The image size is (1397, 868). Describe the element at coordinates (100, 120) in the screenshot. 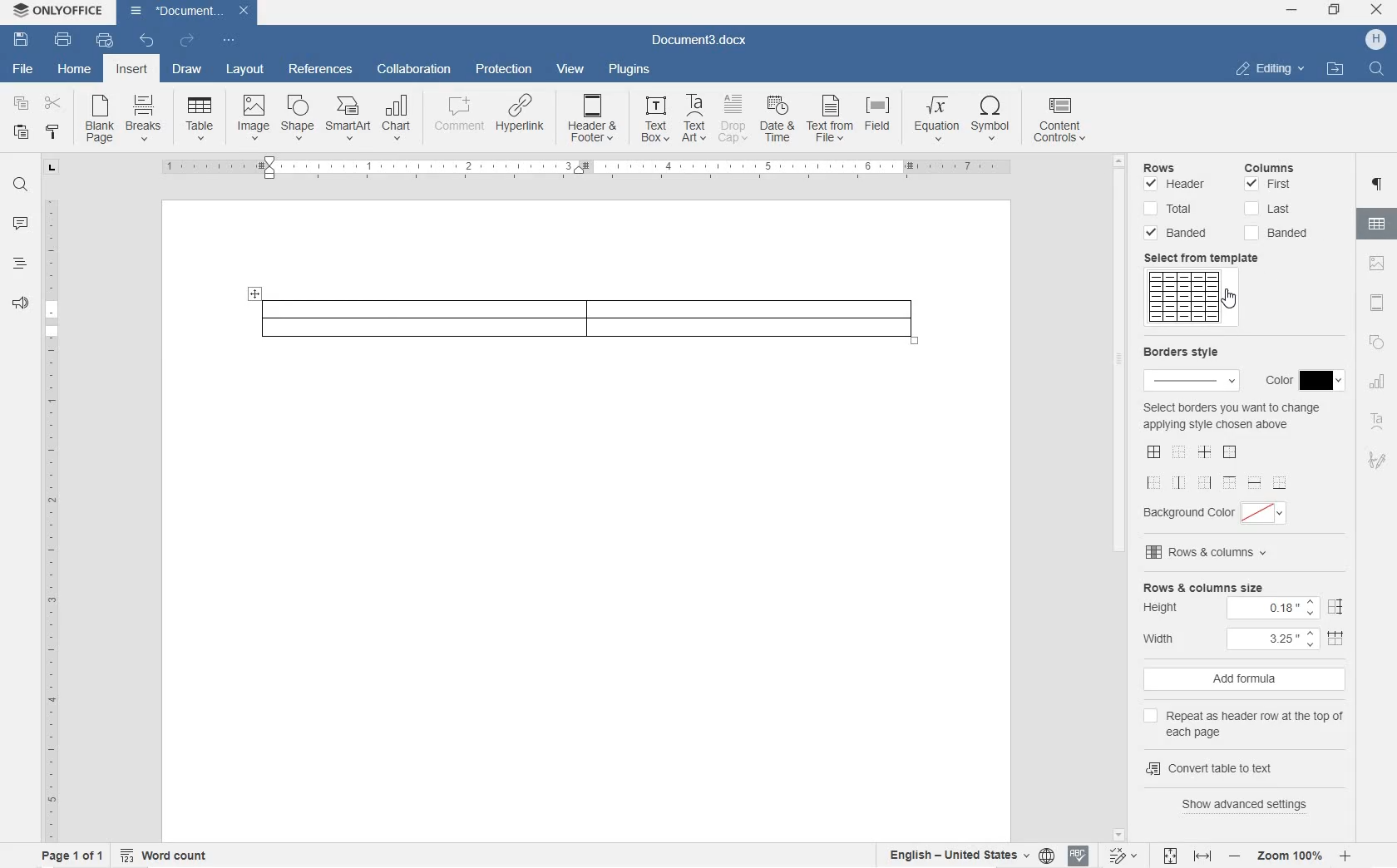

I see `Blank Page` at that location.